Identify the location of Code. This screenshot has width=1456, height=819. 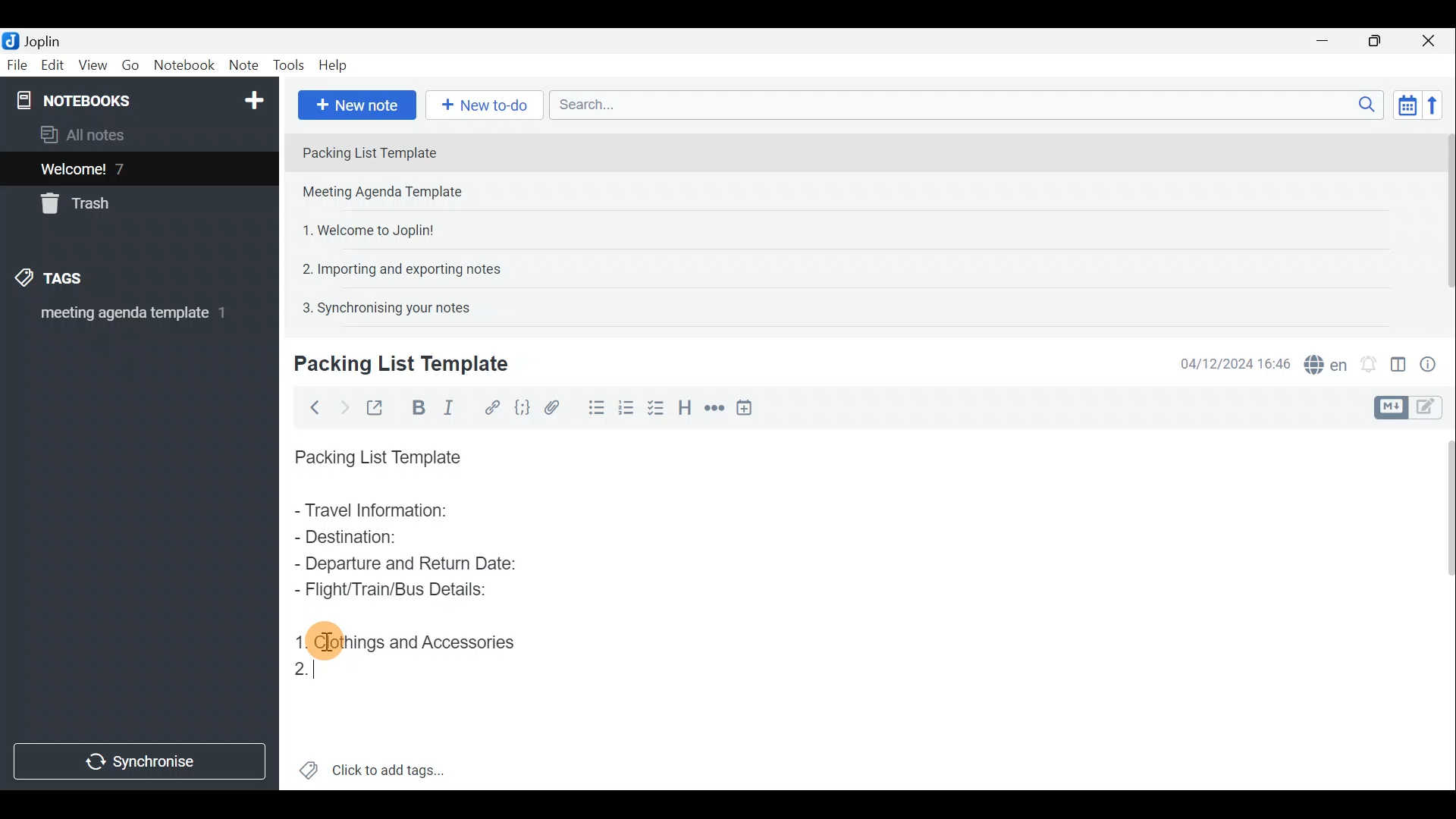
(522, 406).